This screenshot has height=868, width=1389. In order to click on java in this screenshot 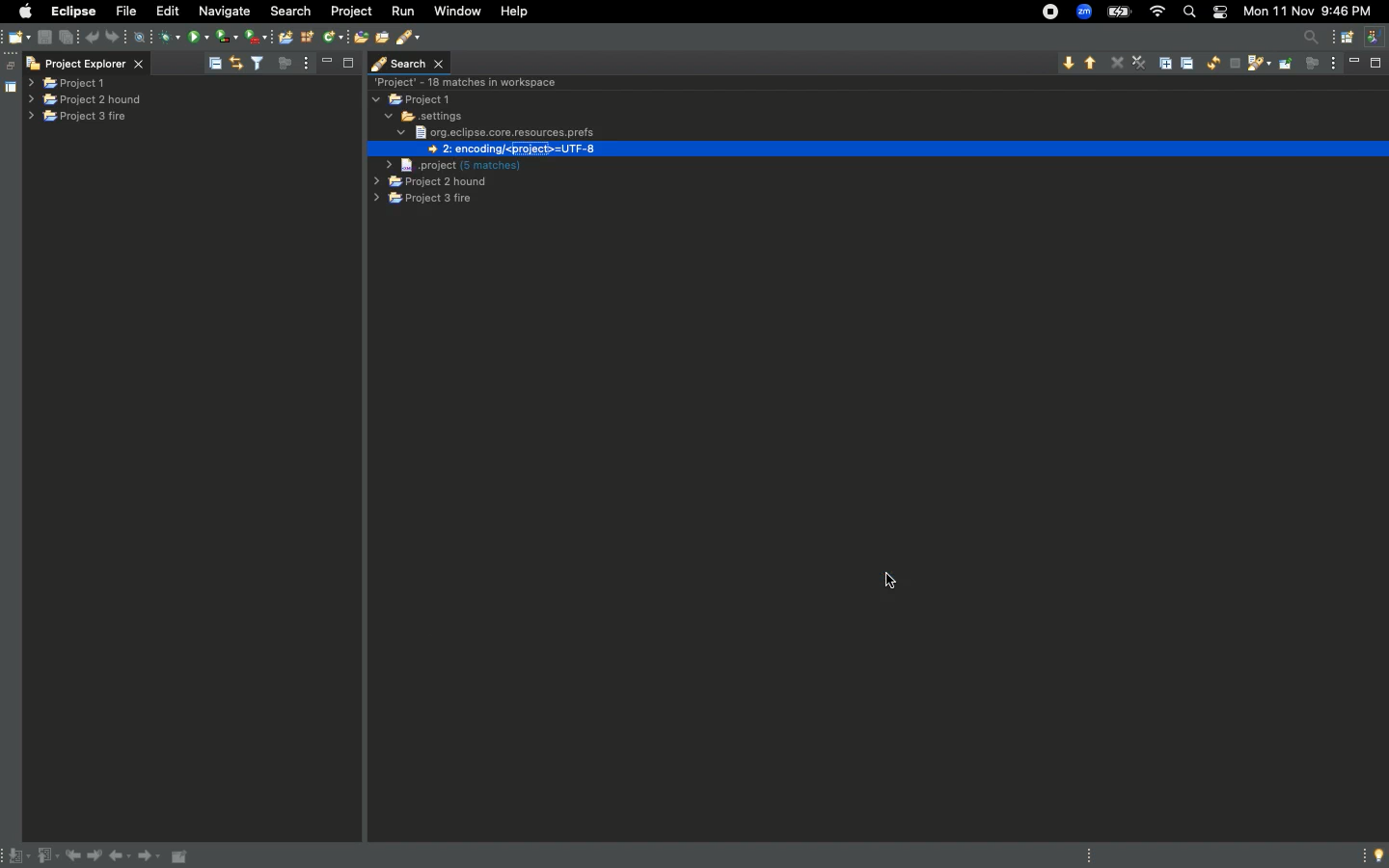, I will do `click(1376, 35)`.